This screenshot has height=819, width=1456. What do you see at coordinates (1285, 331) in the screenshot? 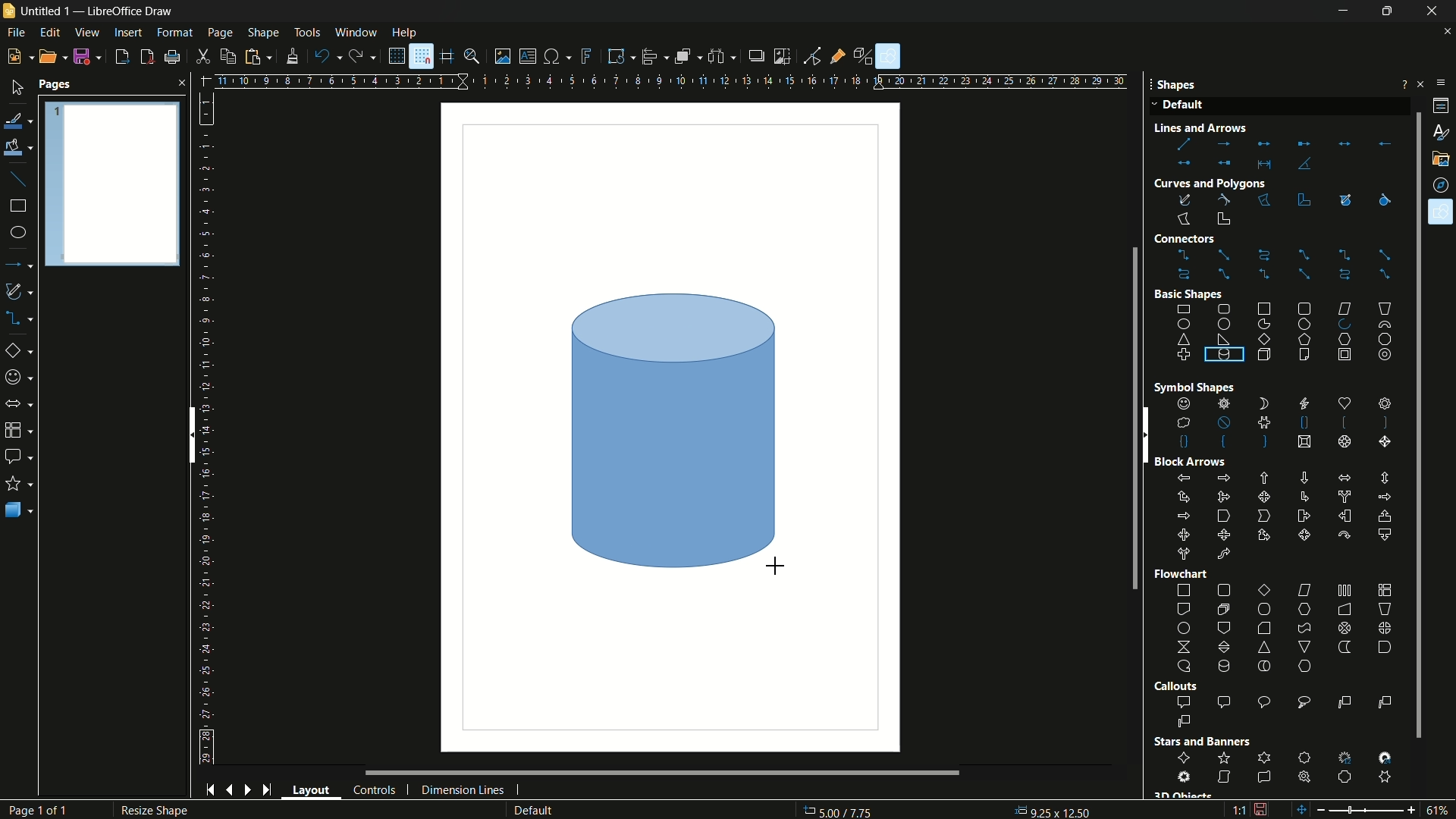
I see `basic shapes` at bounding box center [1285, 331].